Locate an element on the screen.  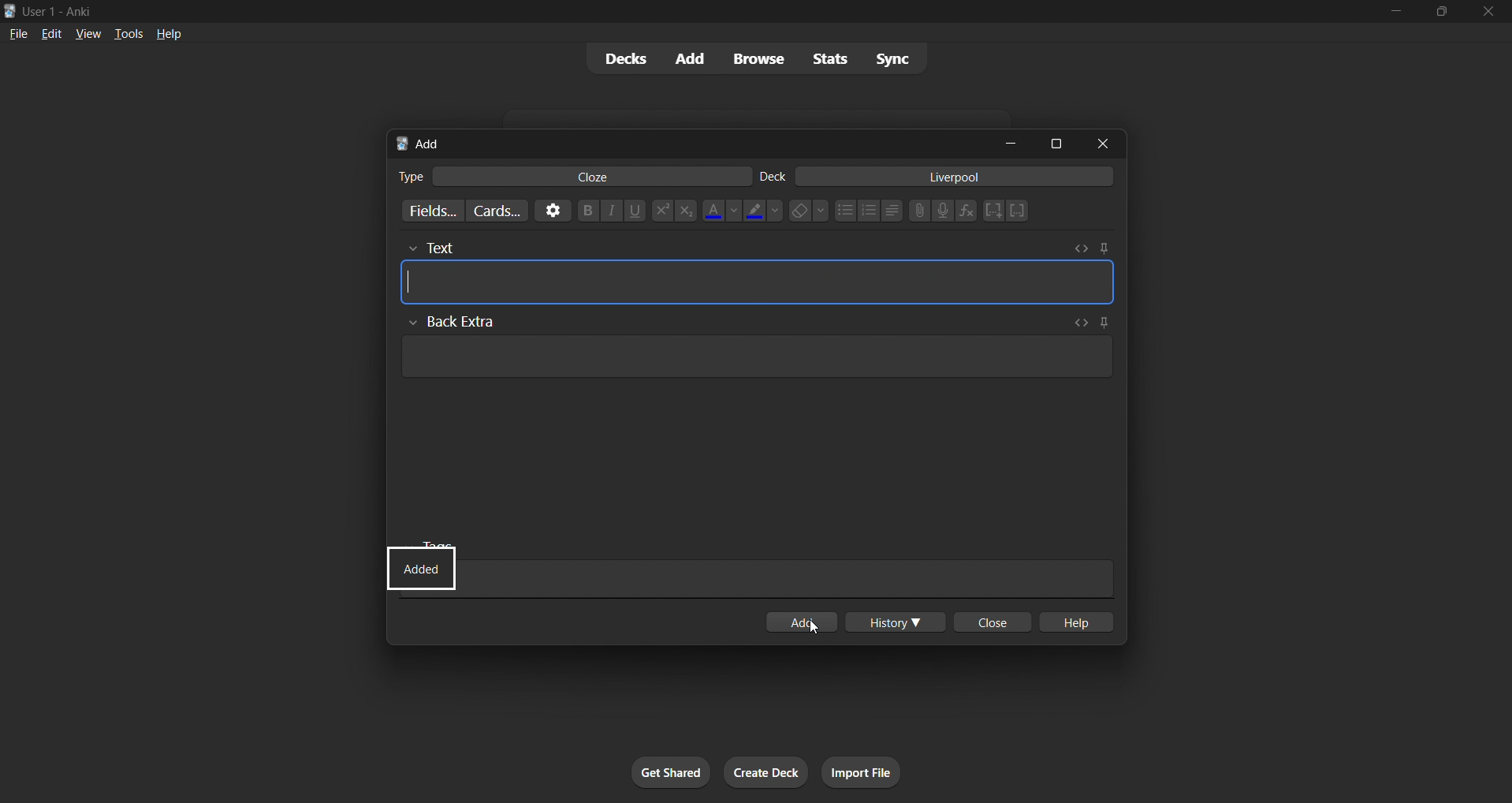
cloze deletion is located at coordinates (1020, 210).